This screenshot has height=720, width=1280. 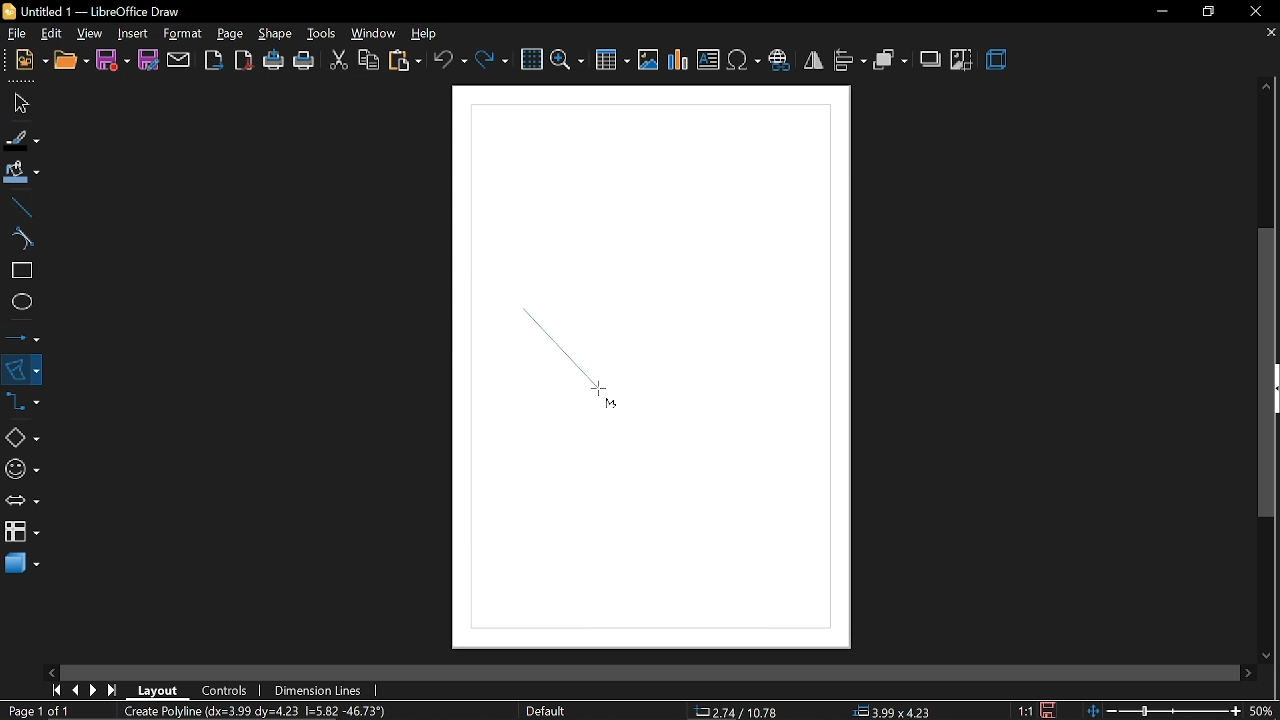 What do you see at coordinates (56, 690) in the screenshot?
I see `go first page` at bounding box center [56, 690].